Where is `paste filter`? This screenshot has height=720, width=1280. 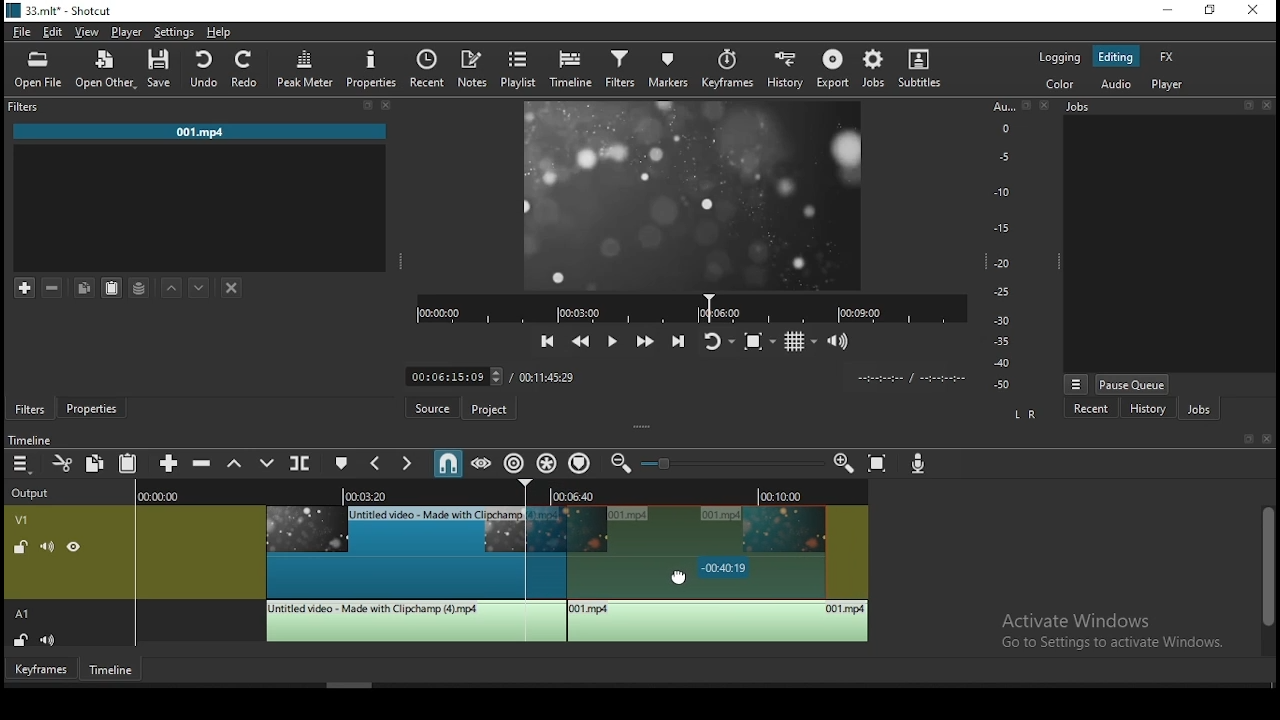
paste filter is located at coordinates (111, 286).